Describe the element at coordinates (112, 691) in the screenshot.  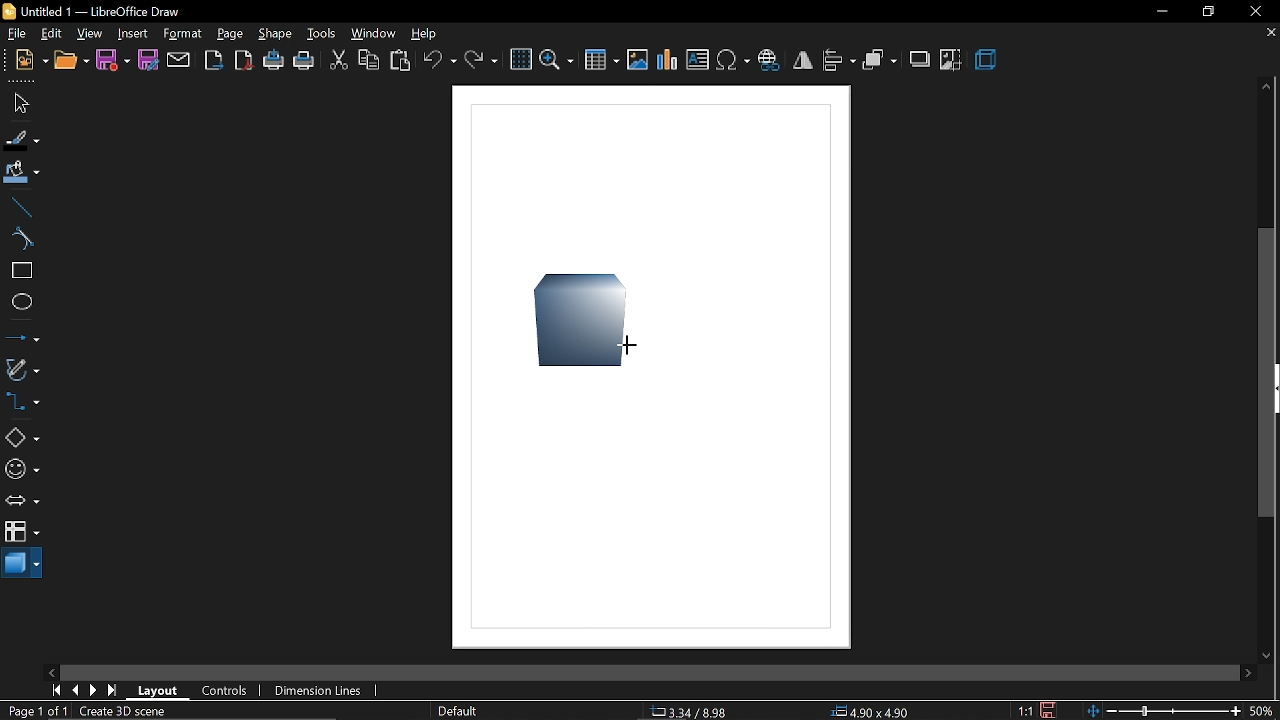
I see `go to last page` at that location.